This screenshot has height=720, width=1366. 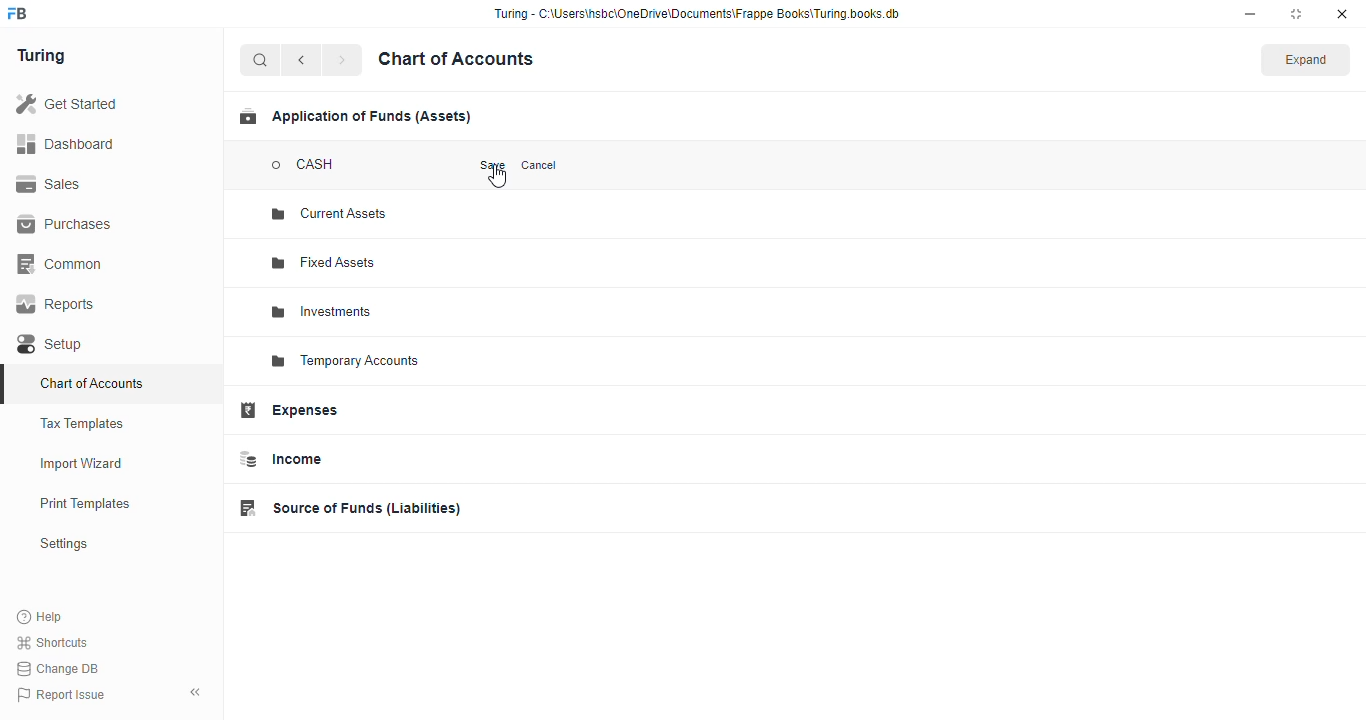 I want to click on income, so click(x=279, y=459).